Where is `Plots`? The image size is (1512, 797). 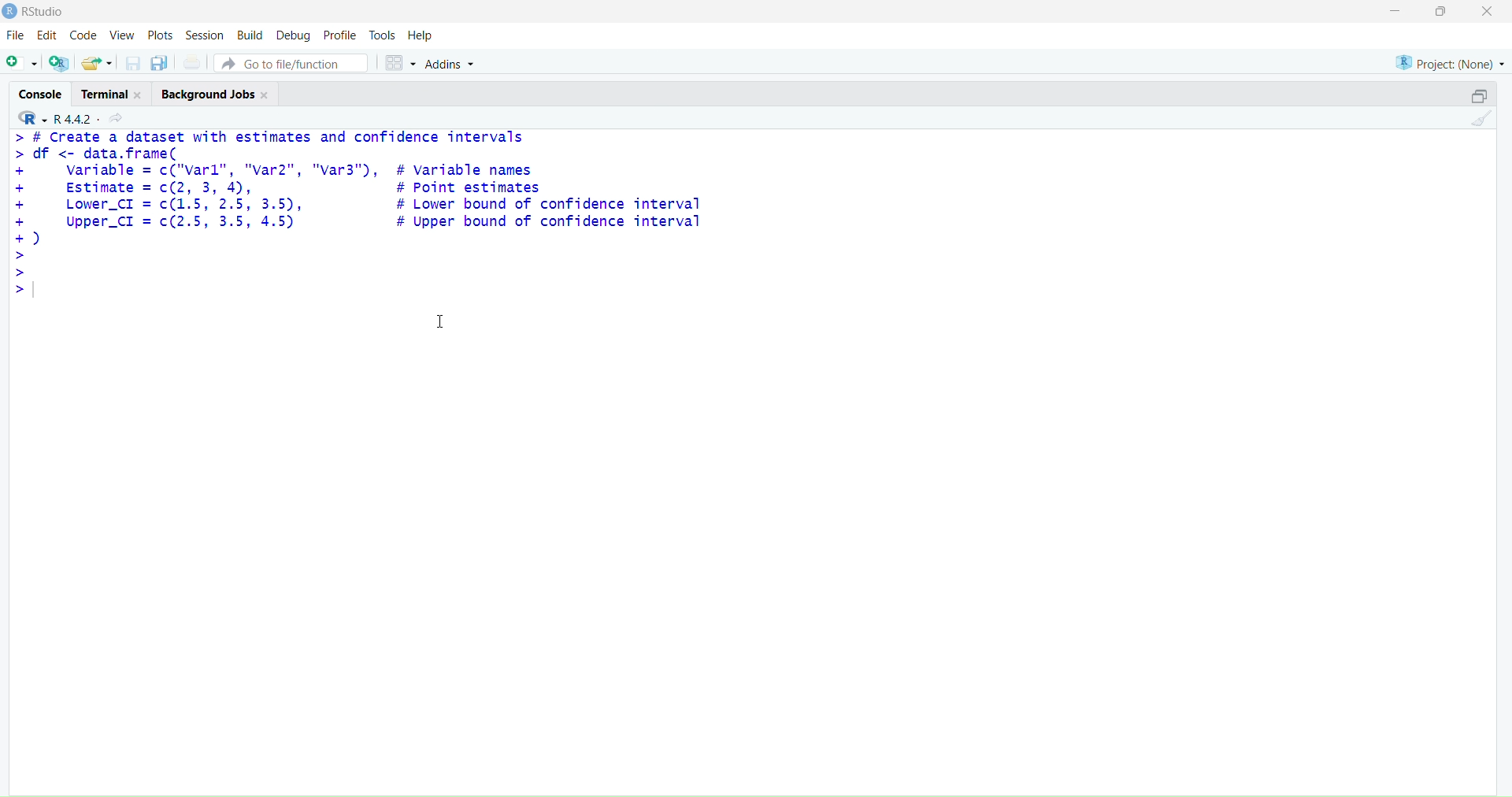 Plots is located at coordinates (161, 35).